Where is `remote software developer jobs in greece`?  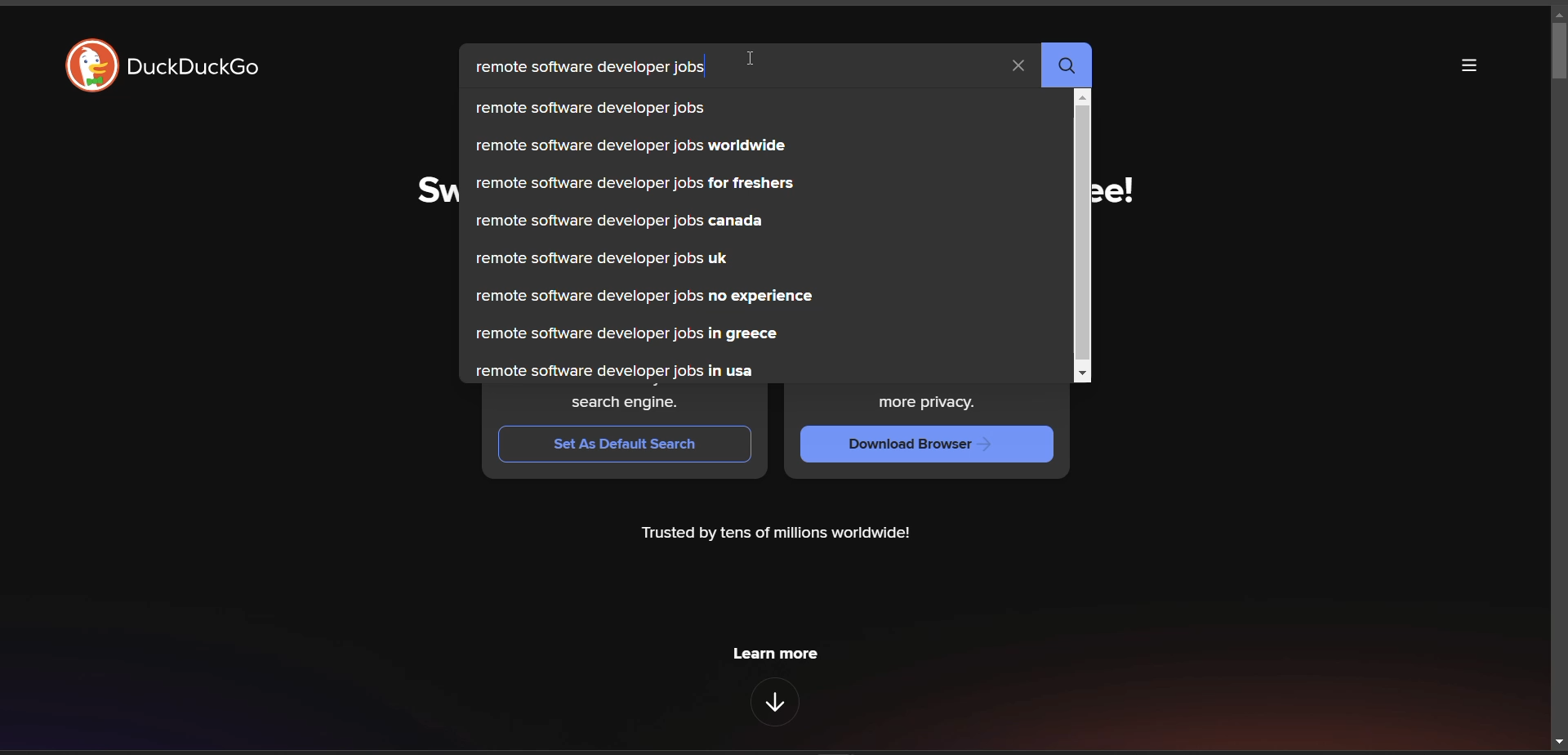
remote software developer jobs in greece is located at coordinates (628, 335).